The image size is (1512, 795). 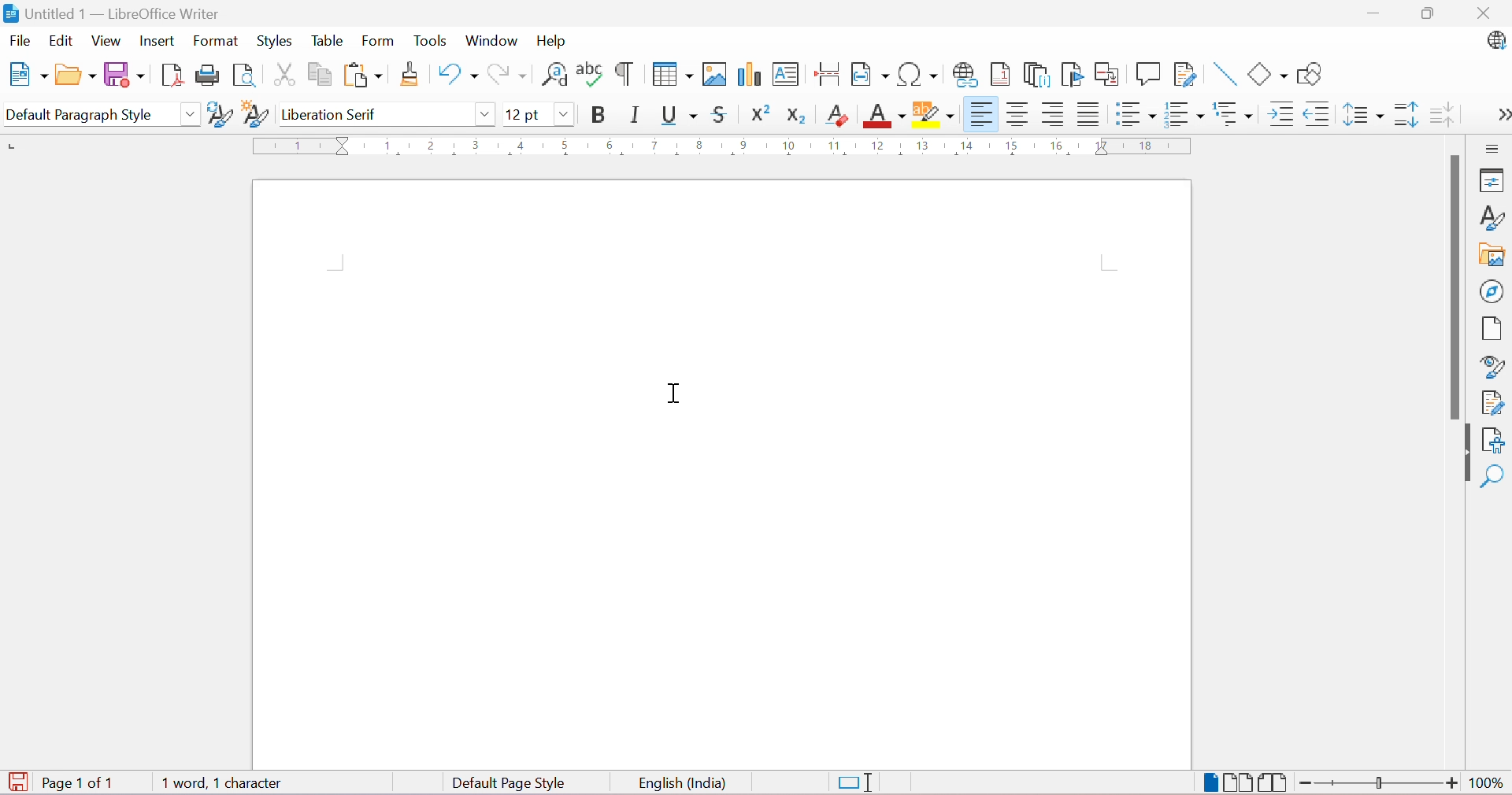 What do you see at coordinates (244, 76) in the screenshot?
I see `Toggle Print Preview` at bounding box center [244, 76].